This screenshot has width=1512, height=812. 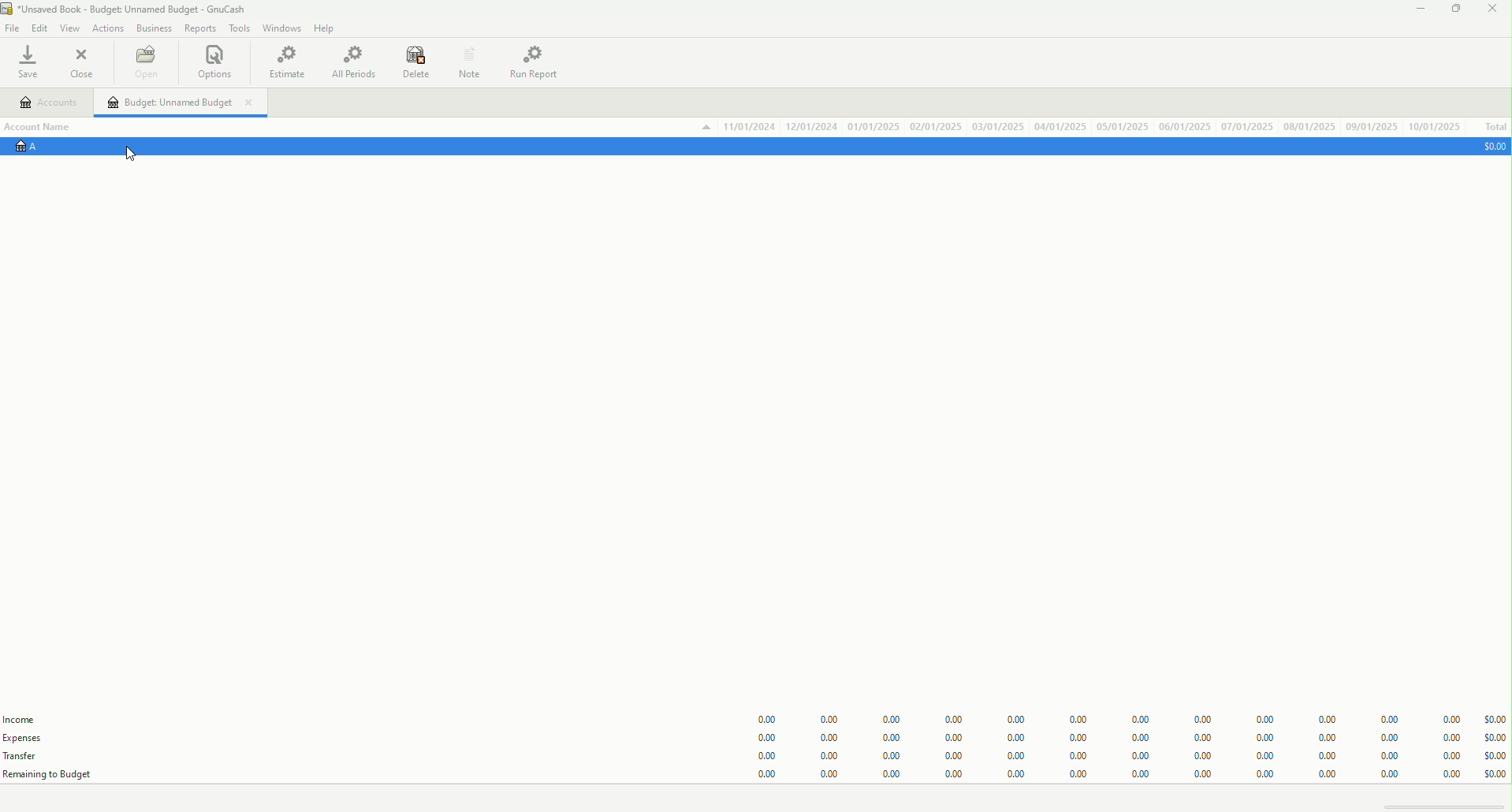 I want to click on Account Name, so click(x=49, y=127).